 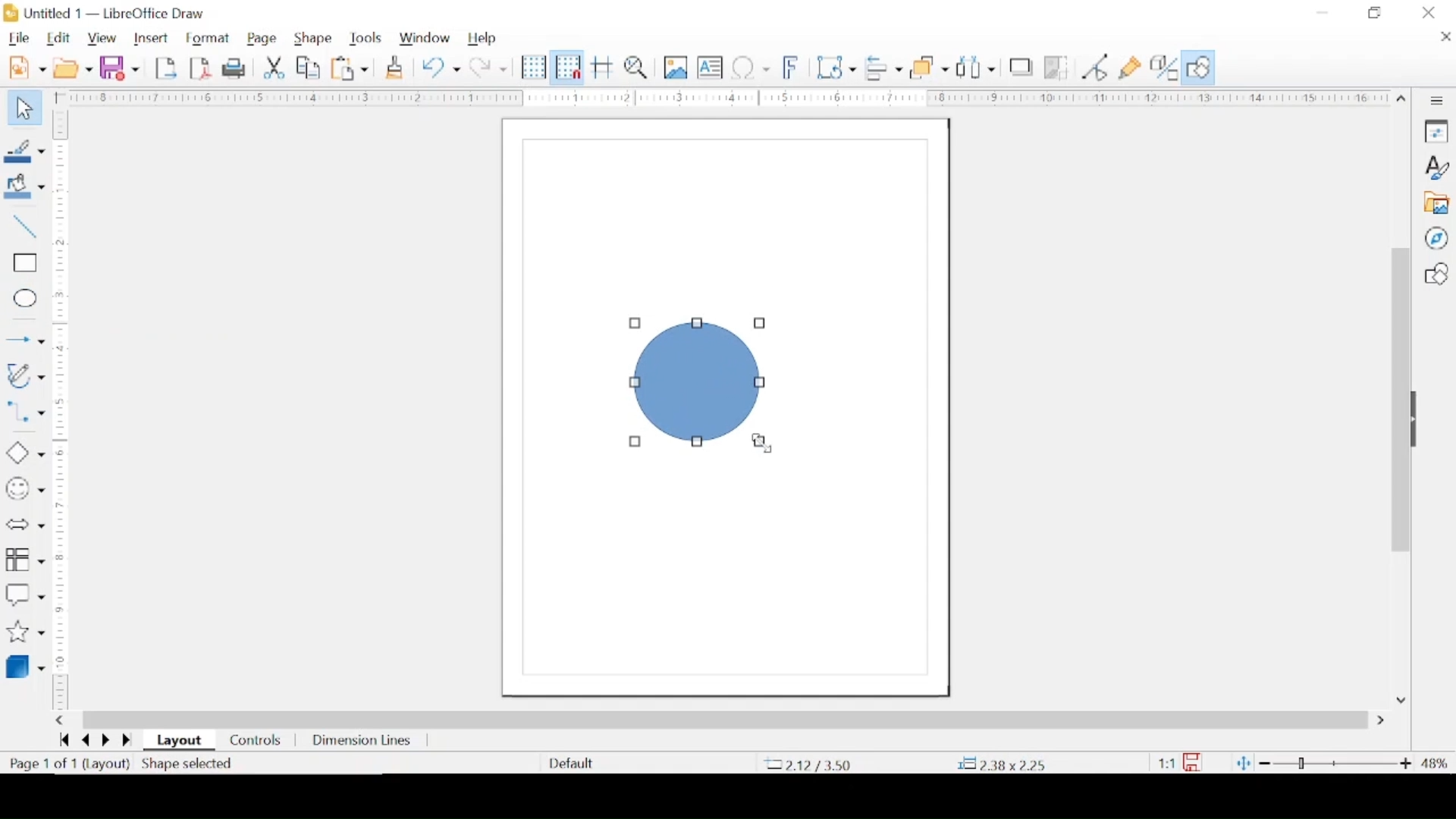 What do you see at coordinates (533, 67) in the screenshot?
I see `display grid` at bounding box center [533, 67].